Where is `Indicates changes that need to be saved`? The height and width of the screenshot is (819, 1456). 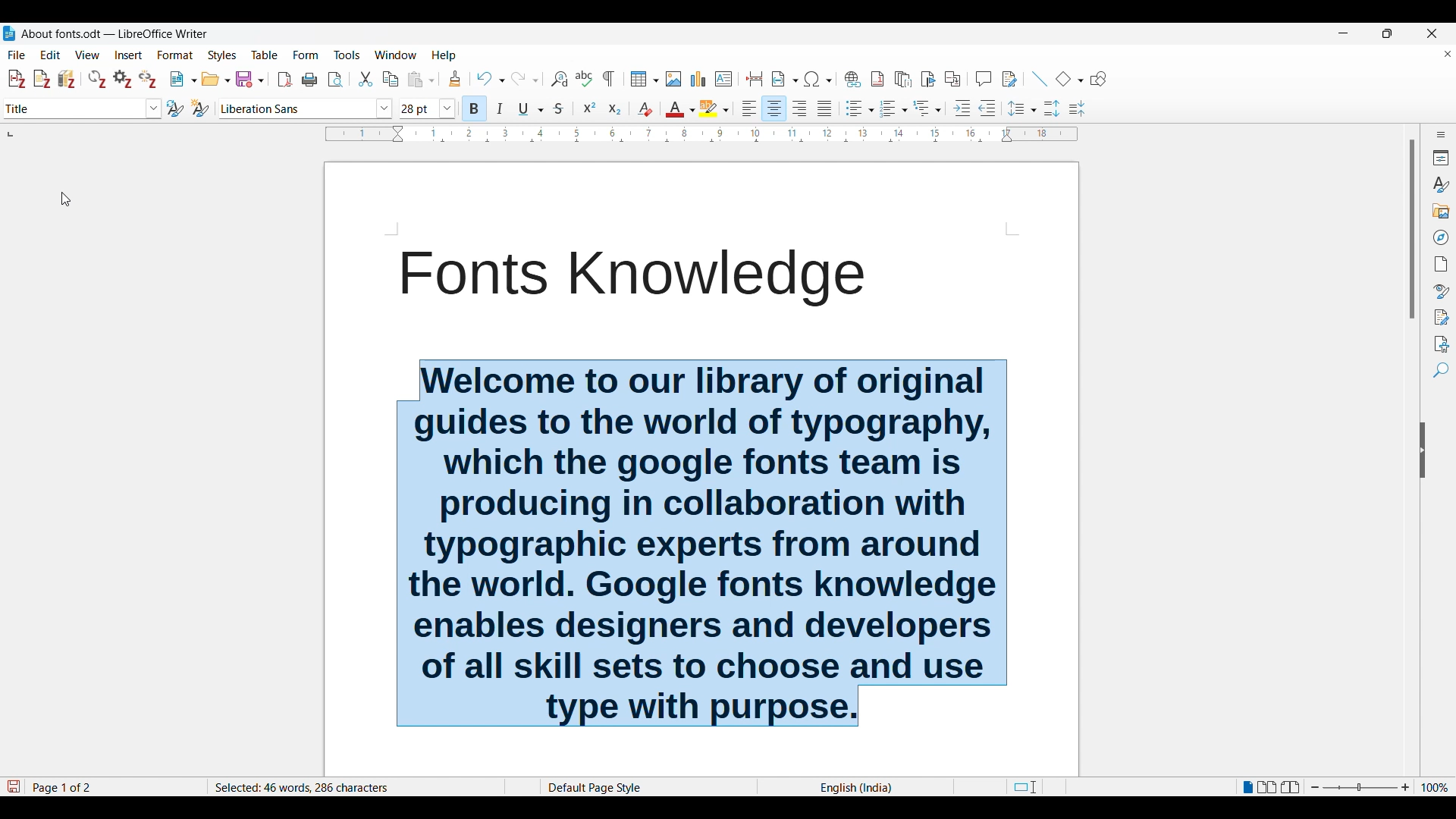
Indicates changes that need to be saved is located at coordinates (14, 786).